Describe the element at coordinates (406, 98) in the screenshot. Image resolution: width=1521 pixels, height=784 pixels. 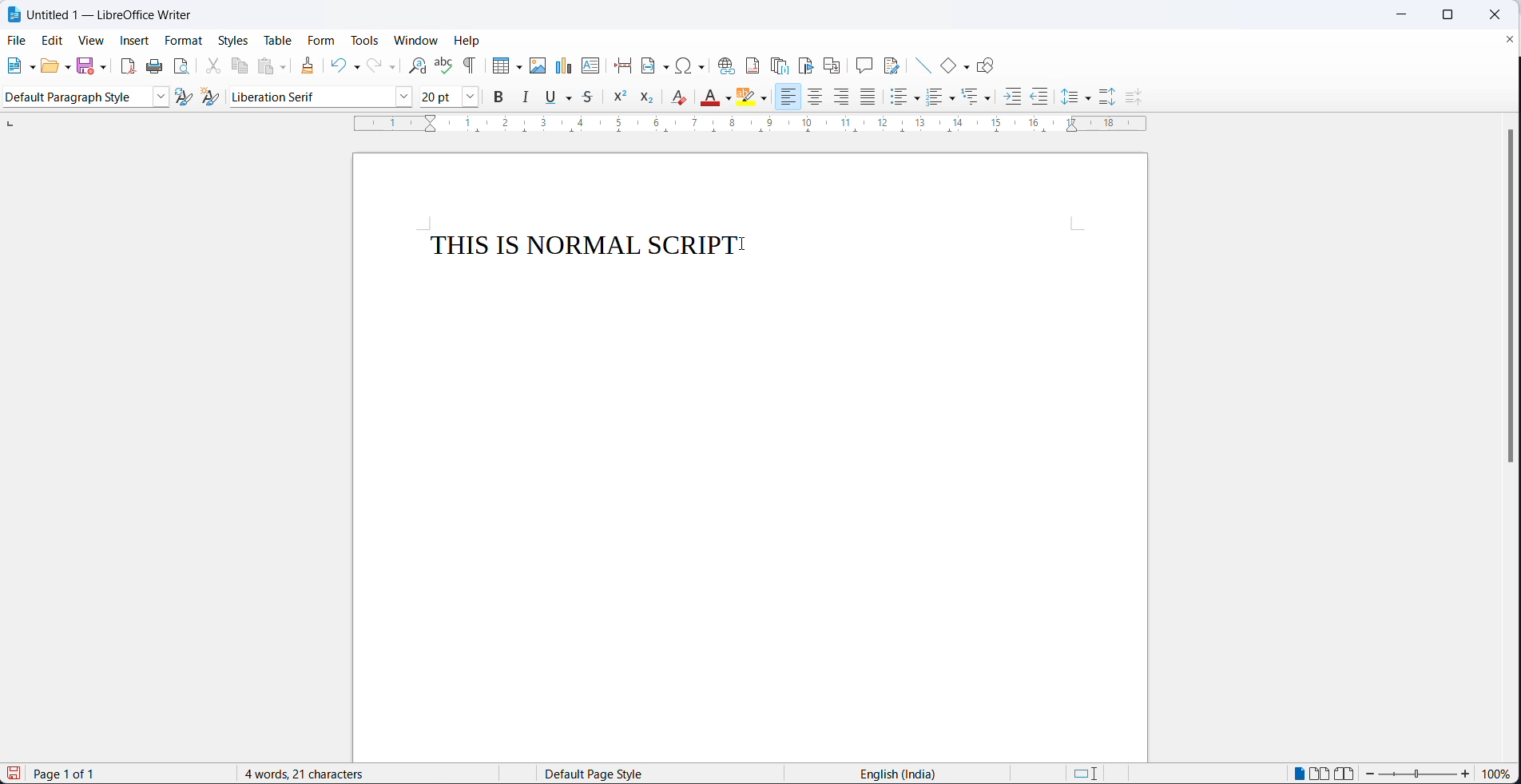
I see `font name options` at that location.